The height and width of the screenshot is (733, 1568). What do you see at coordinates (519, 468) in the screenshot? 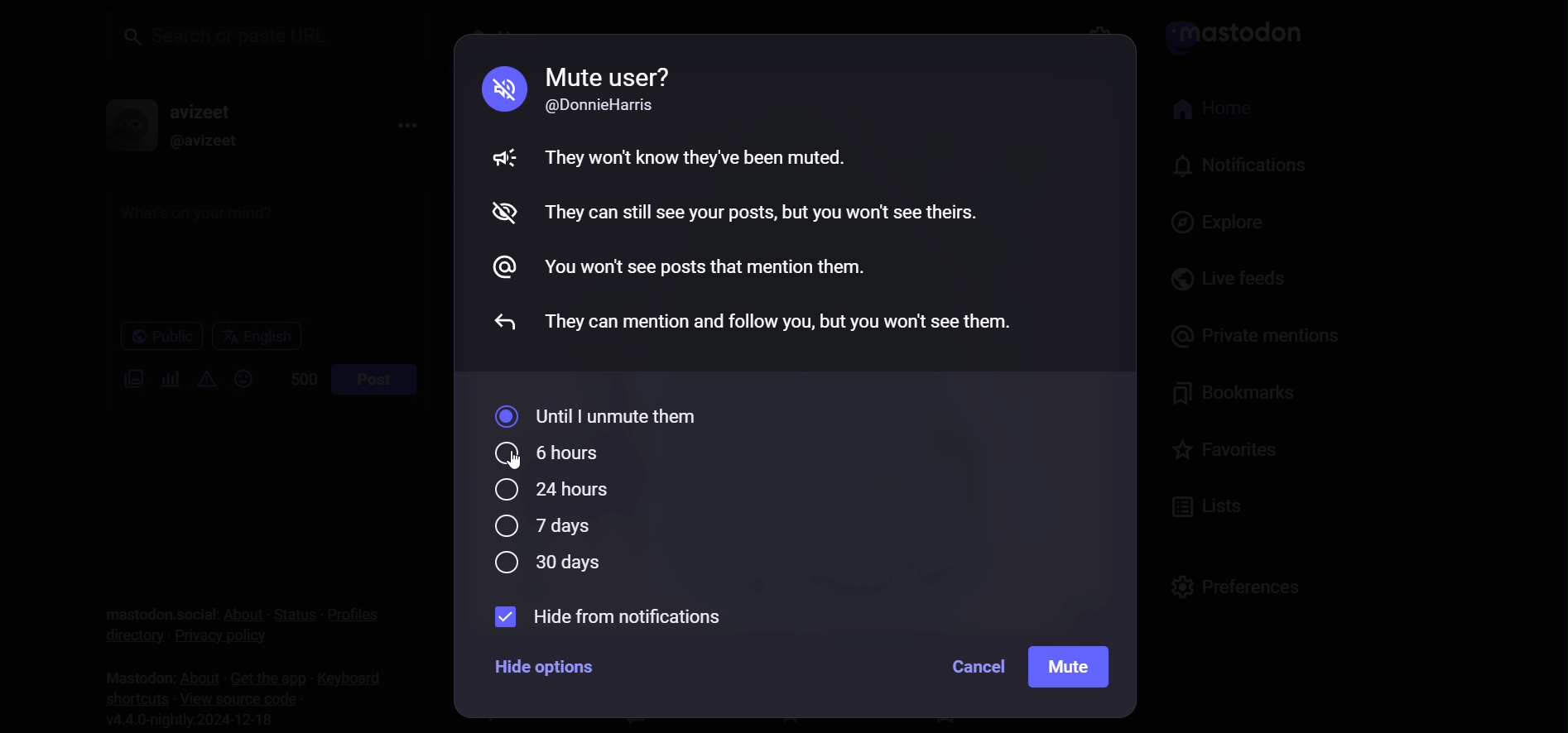
I see `cursor` at bounding box center [519, 468].